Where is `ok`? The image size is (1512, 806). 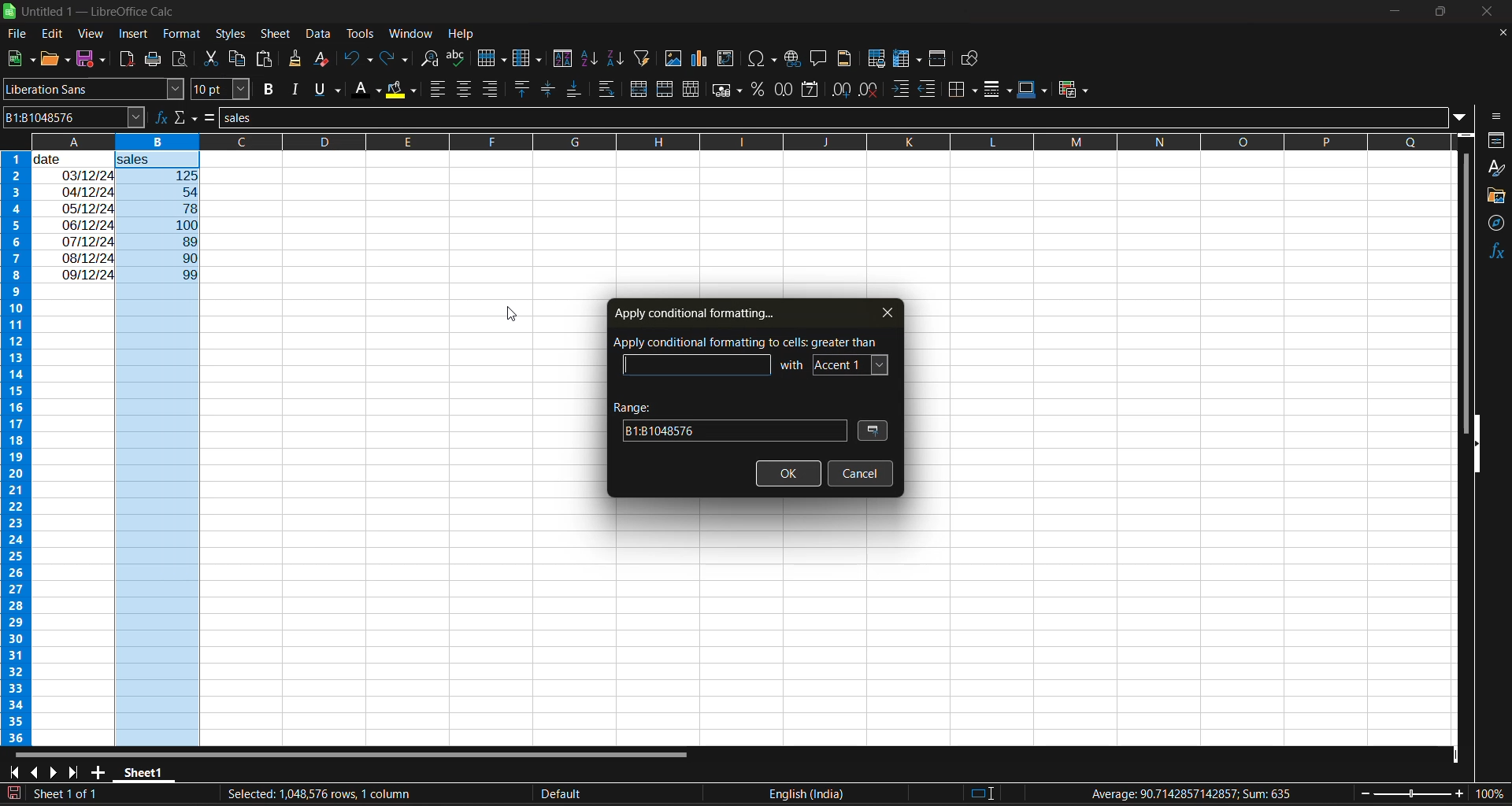
ok is located at coordinates (789, 475).